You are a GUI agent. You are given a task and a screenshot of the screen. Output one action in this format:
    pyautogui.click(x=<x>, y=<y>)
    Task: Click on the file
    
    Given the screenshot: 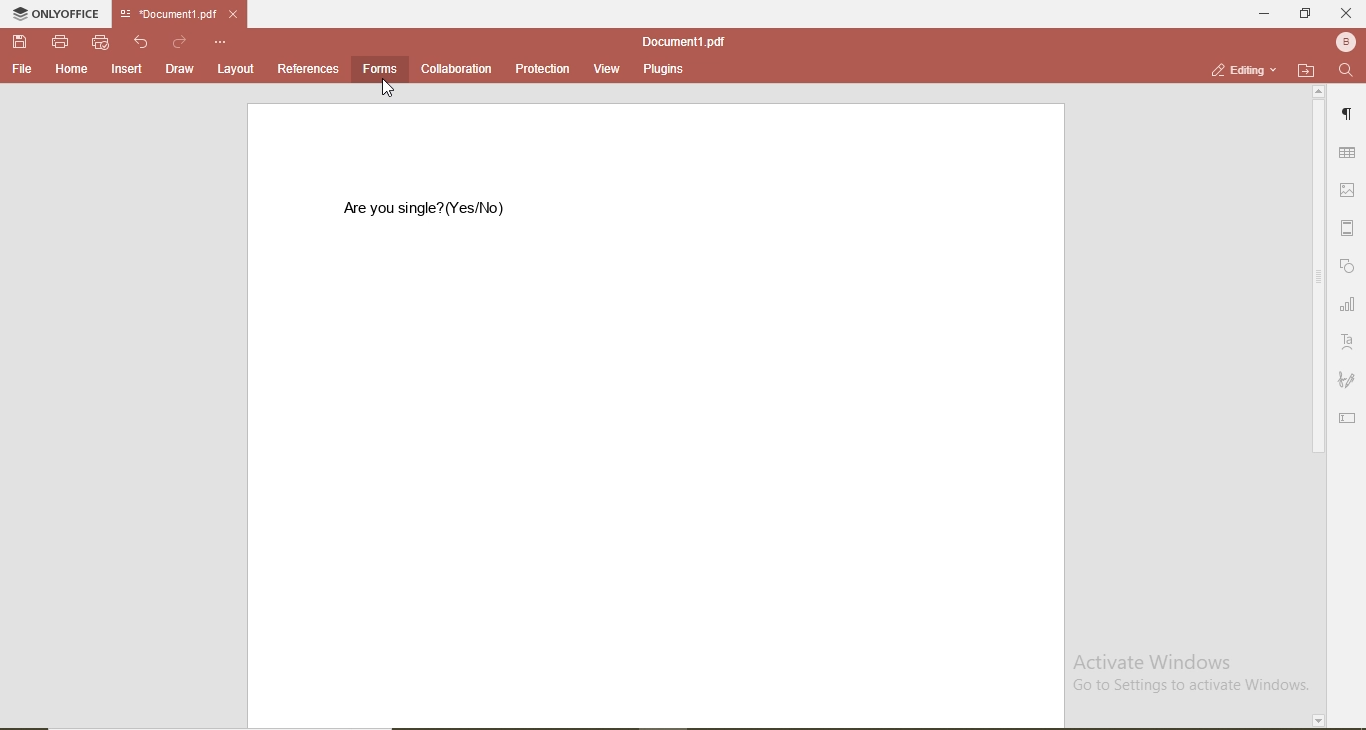 What is the action you would take?
    pyautogui.click(x=23, y=70)
    